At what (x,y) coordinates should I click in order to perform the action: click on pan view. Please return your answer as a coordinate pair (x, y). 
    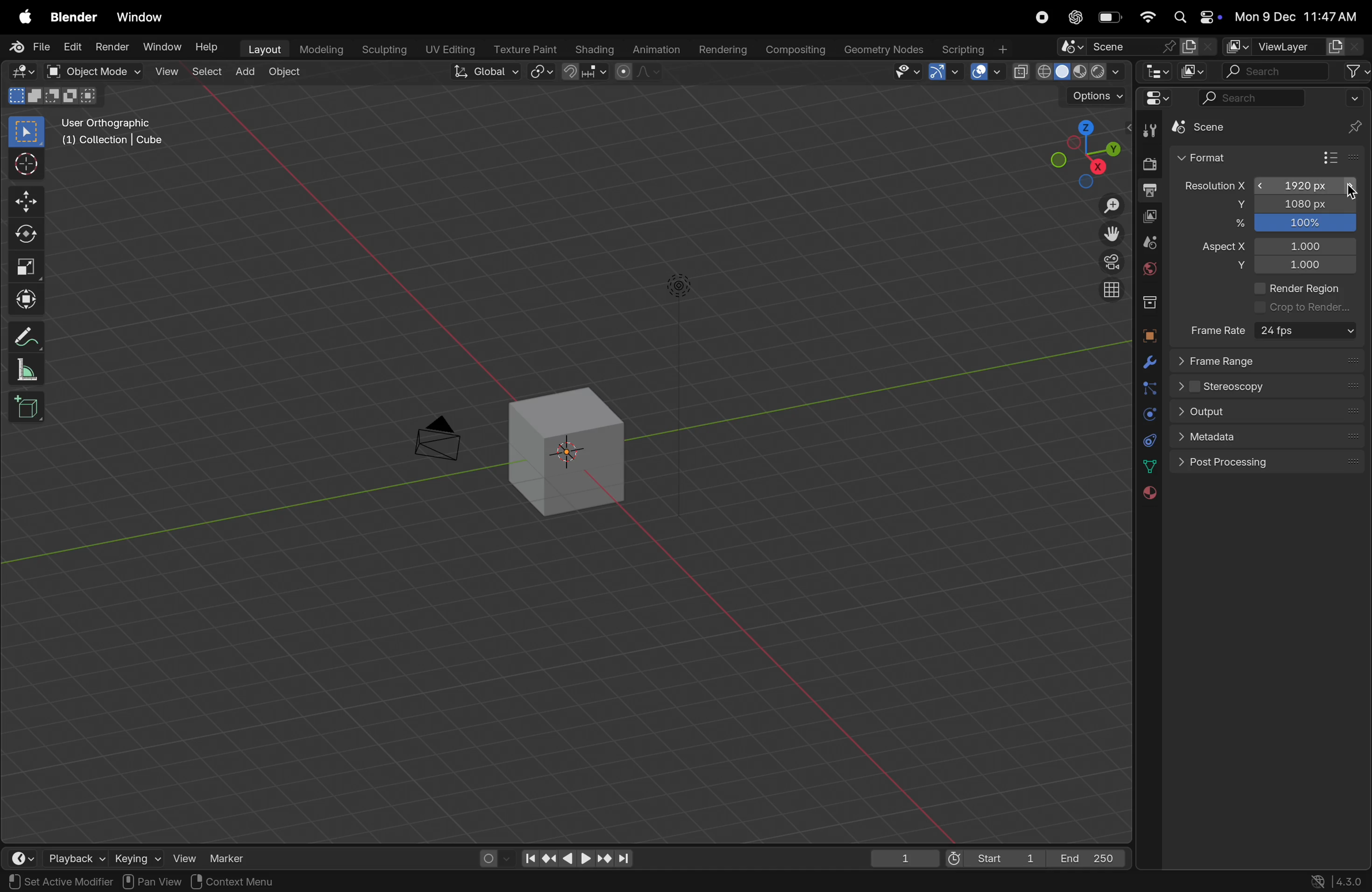
    Looking at the image, I should click on (35, 882).